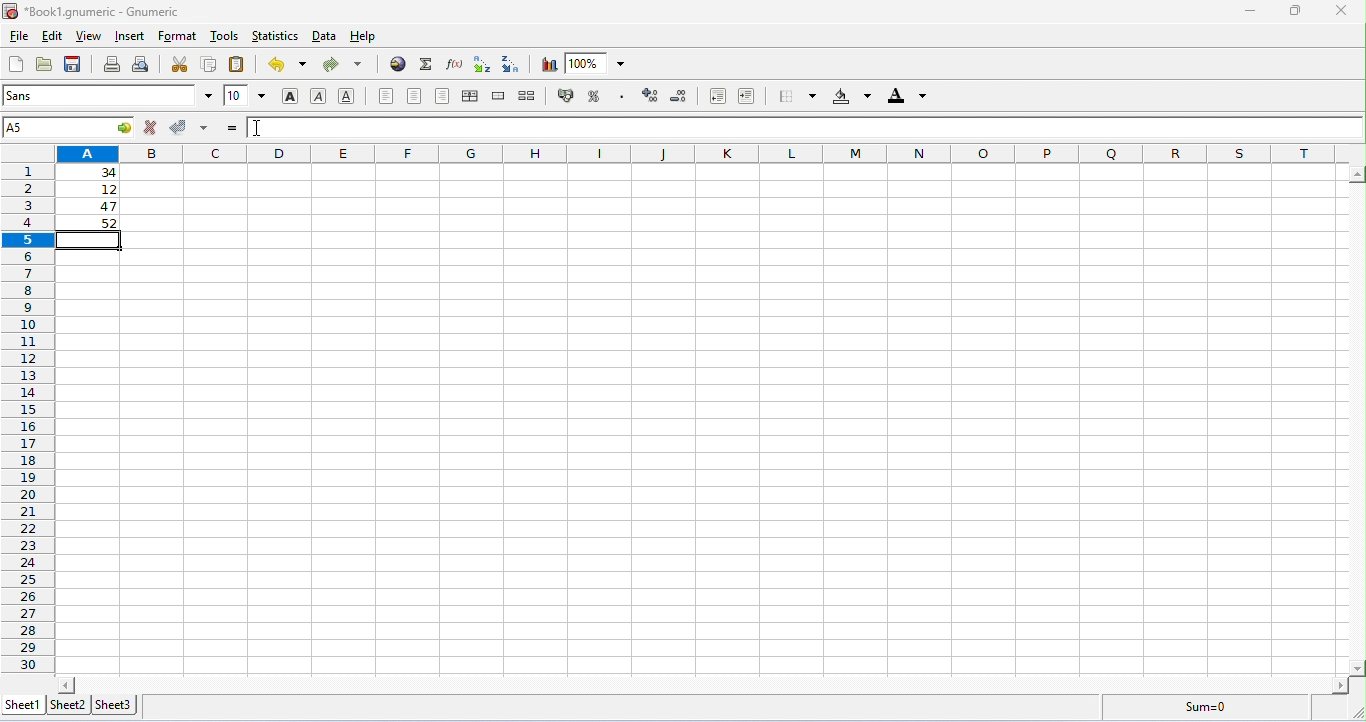 Image resolution: width=1366 pixels, height=722 pixels. What do you see at coordinates (274, 36) in the screenshot?
I see `statistics` at bounding box center [274, 36].